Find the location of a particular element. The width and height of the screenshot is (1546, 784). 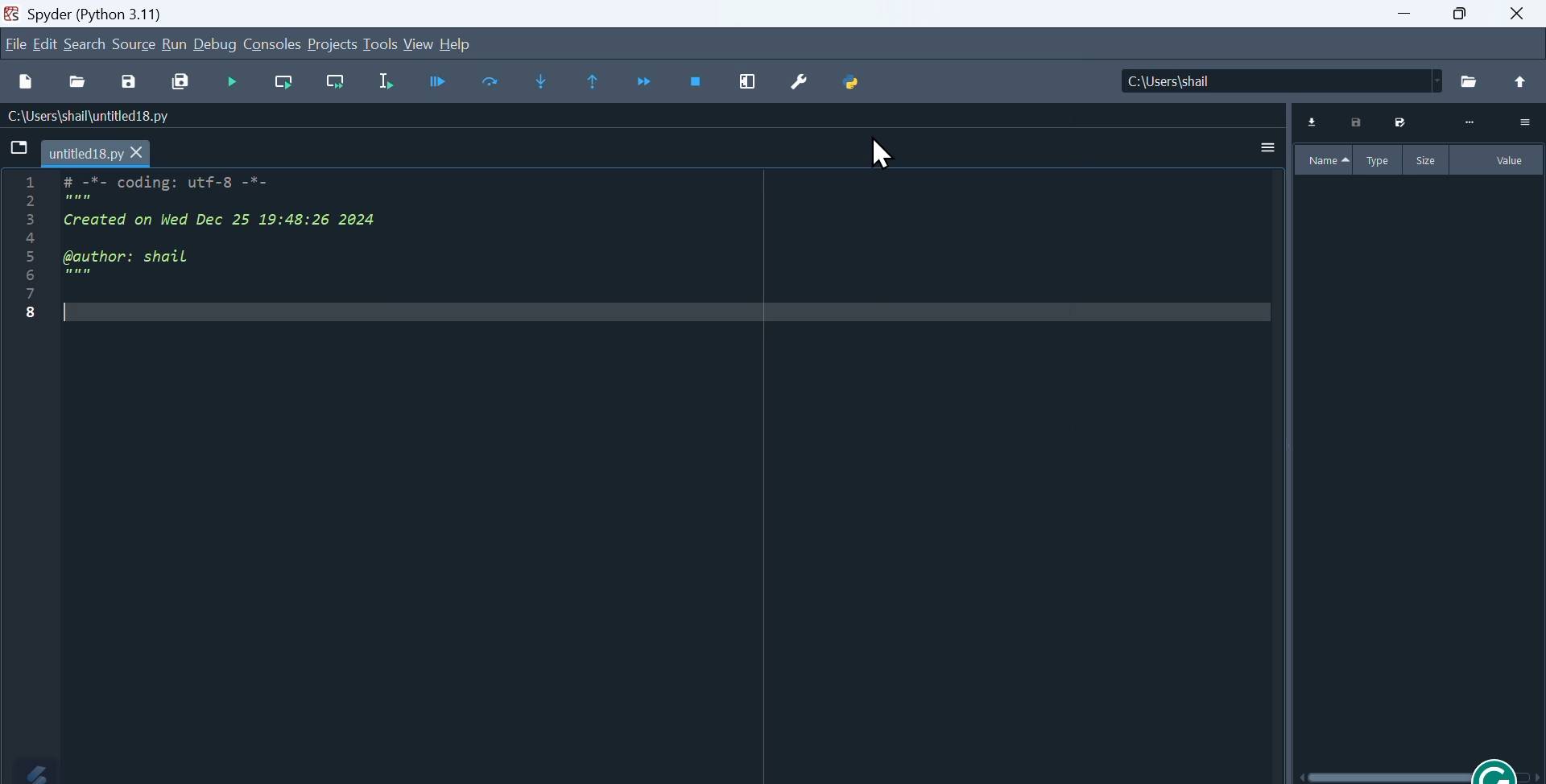

Consoles is located at coordinates (275, 43).